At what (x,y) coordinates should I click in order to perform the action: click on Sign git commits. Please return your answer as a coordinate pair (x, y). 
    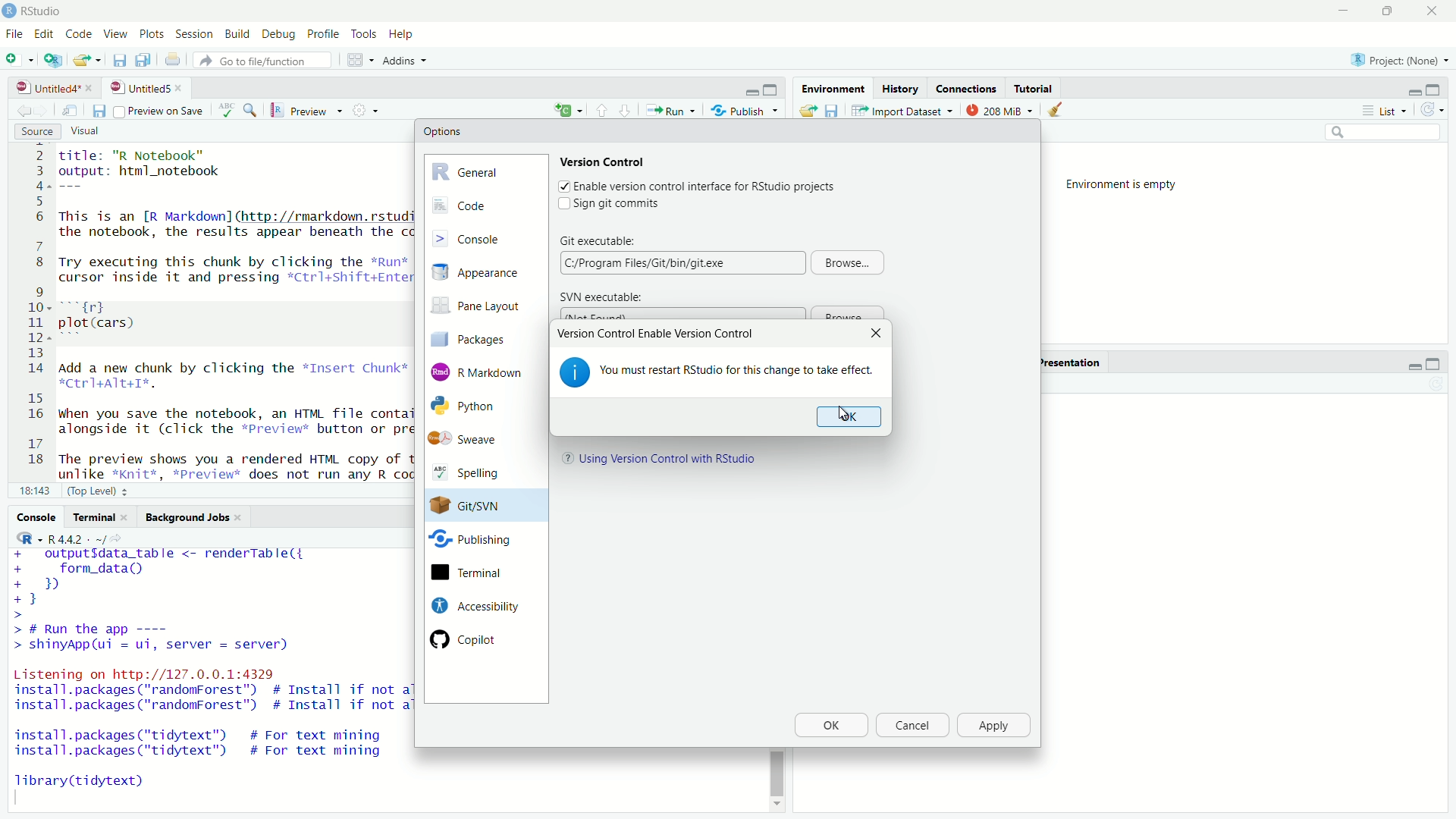
    Looking at the image, I should click on (623, 204).